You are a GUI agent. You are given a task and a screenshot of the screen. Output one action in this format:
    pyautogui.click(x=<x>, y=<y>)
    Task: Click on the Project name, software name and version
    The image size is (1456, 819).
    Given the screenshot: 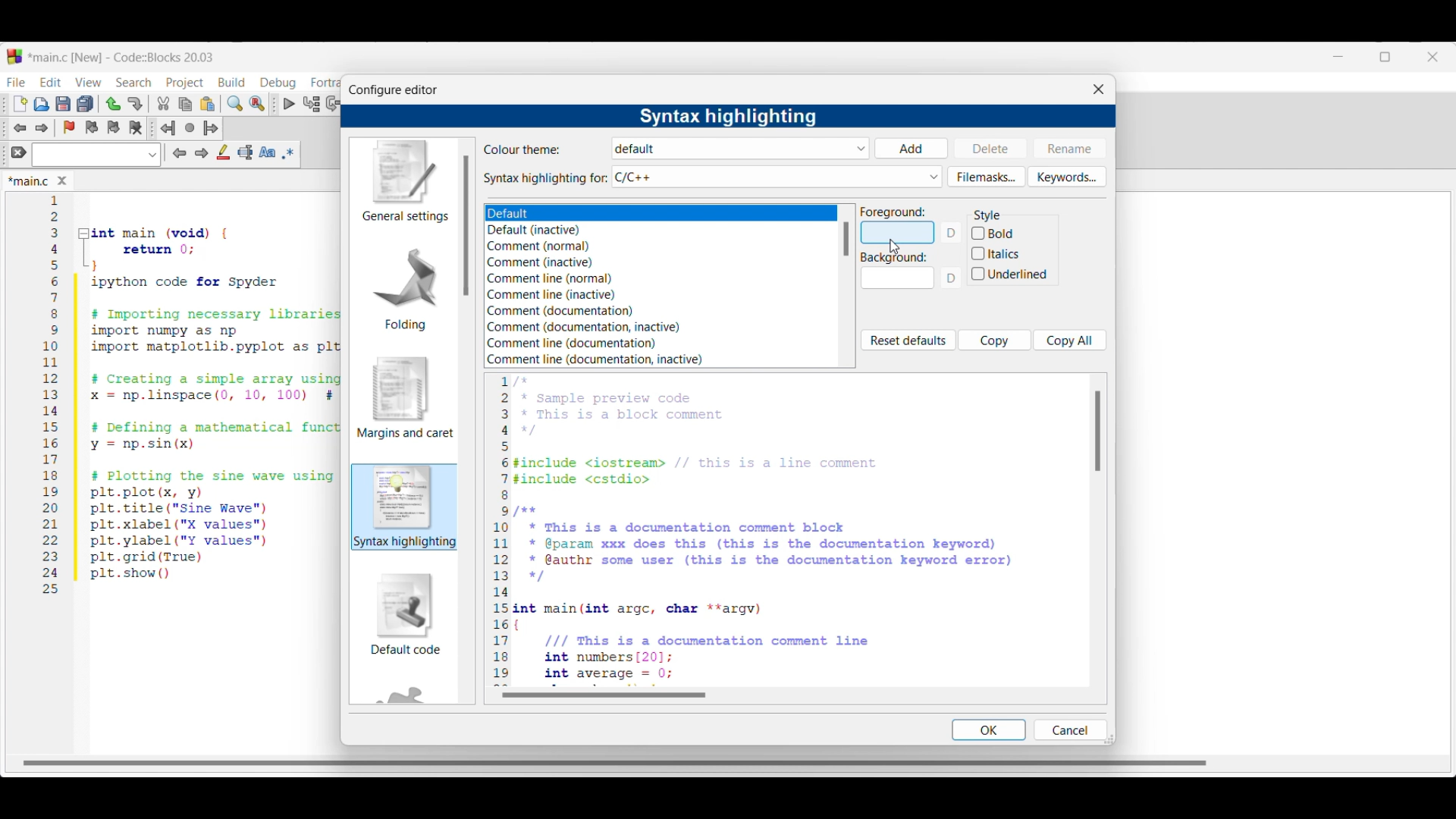 What is the action you would take?
    pyautogui.click(x=124, y=57)
    